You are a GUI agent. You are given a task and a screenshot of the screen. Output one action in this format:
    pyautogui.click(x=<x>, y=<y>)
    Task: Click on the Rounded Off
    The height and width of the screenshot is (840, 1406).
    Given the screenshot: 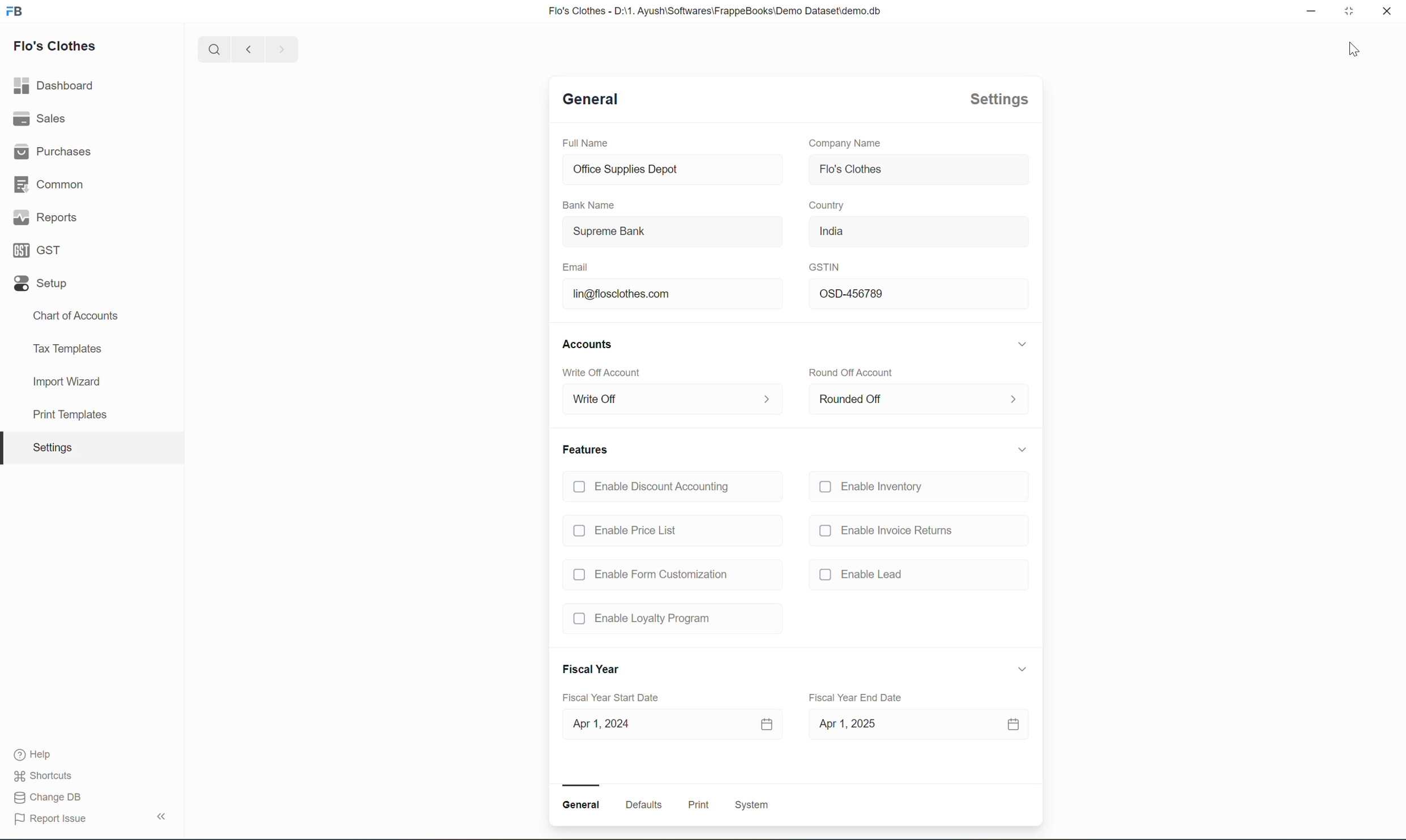 What is the action you would take?
    pyautogui.click(x=918, y=400)
    